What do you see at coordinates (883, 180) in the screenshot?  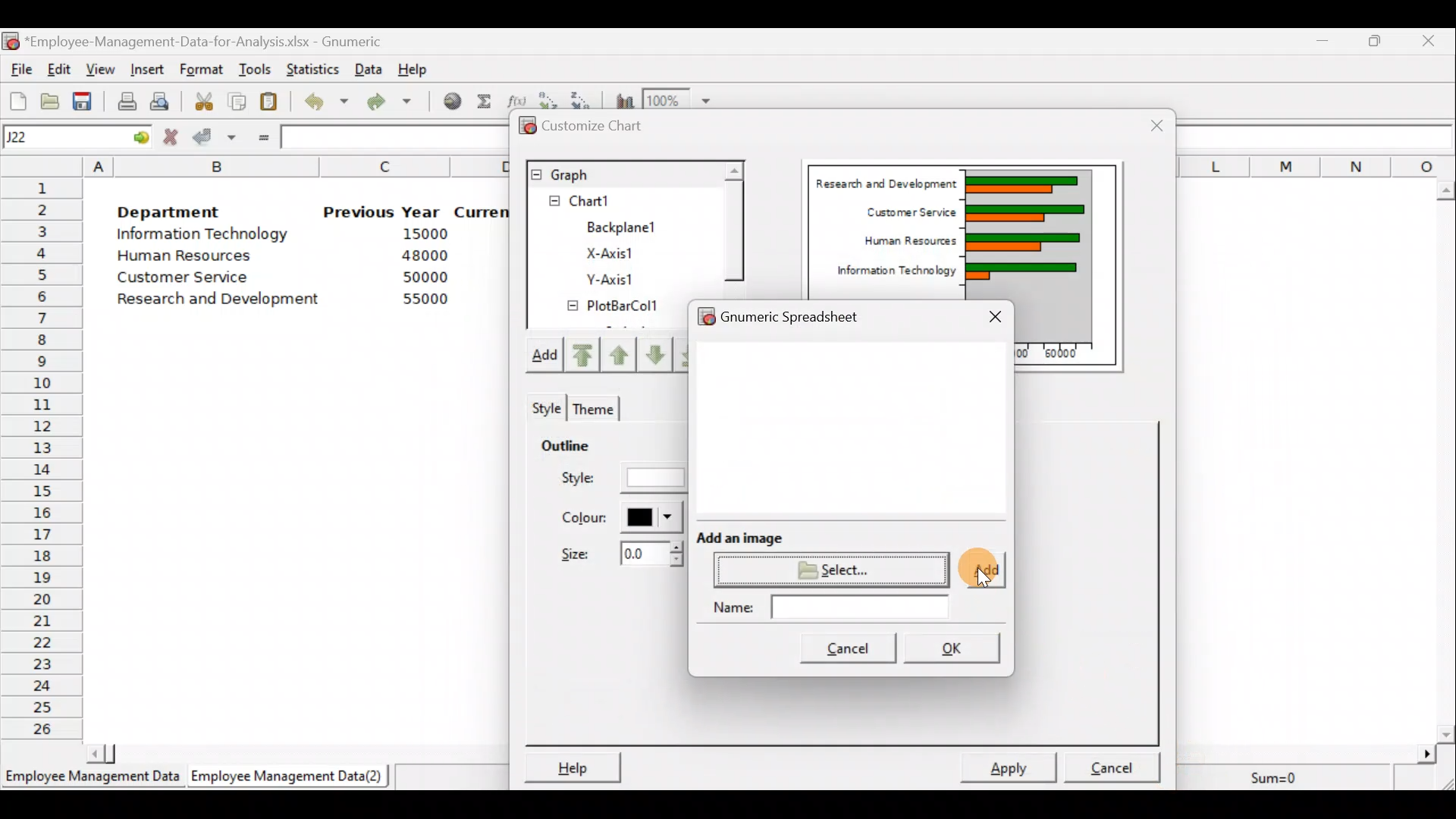 I see `Research and Development` at bounding box center [883, 180].